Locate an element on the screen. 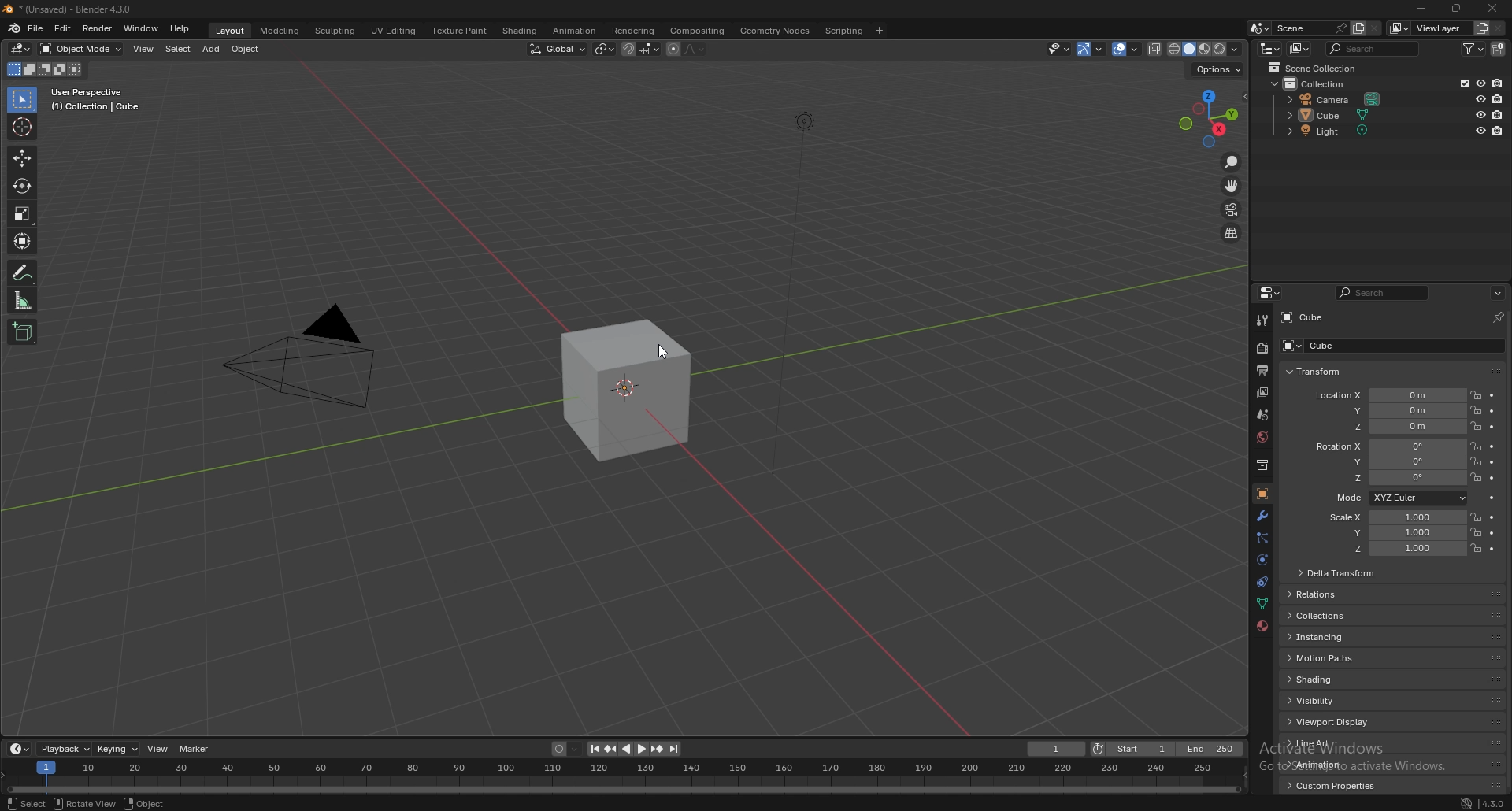 The width and height of the screenshot is (1512, 811). lock is located at coordinates (1475, 462).